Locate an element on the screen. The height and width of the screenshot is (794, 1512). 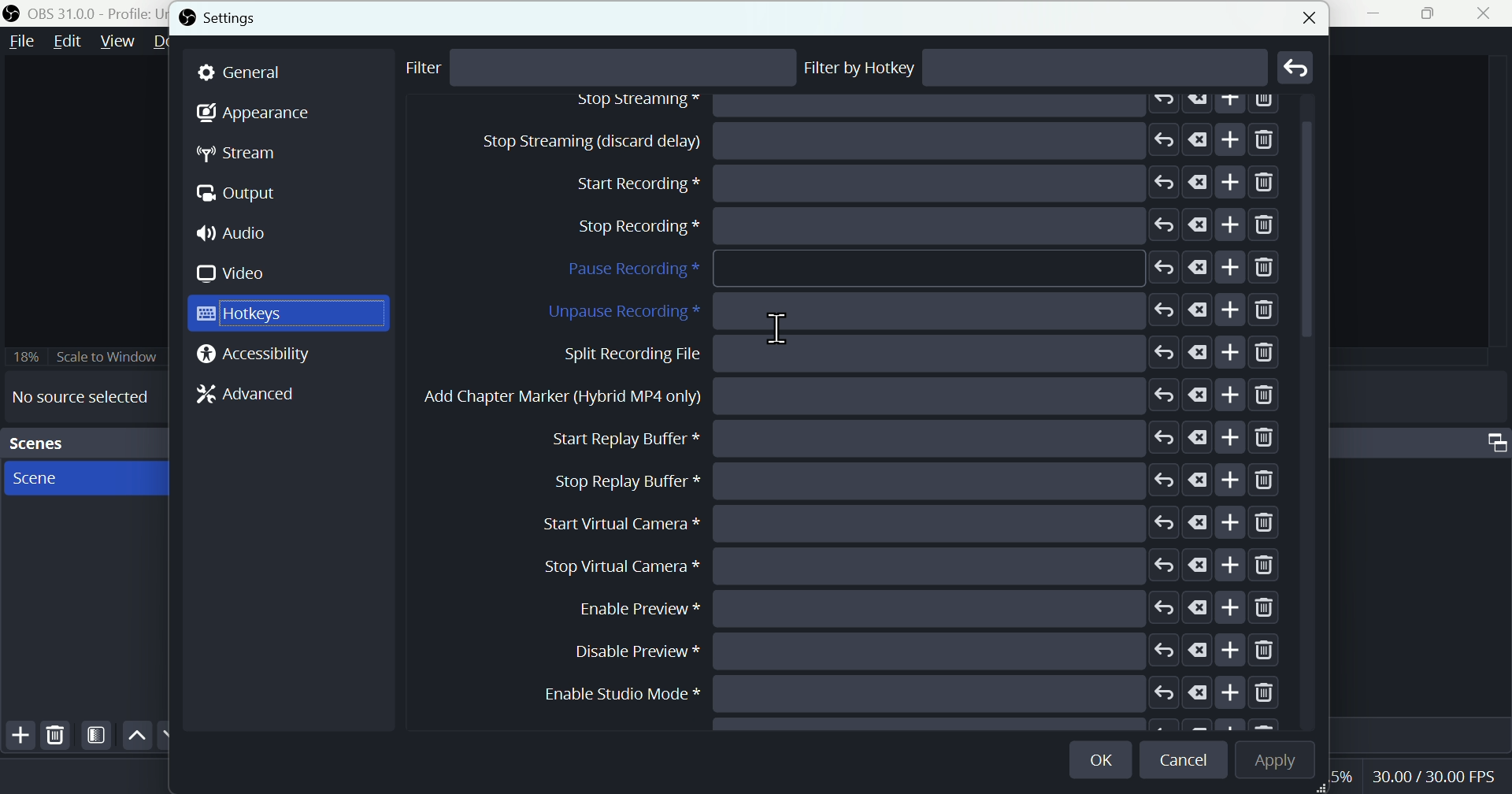
Advanced is located at coordinates (239, 398).